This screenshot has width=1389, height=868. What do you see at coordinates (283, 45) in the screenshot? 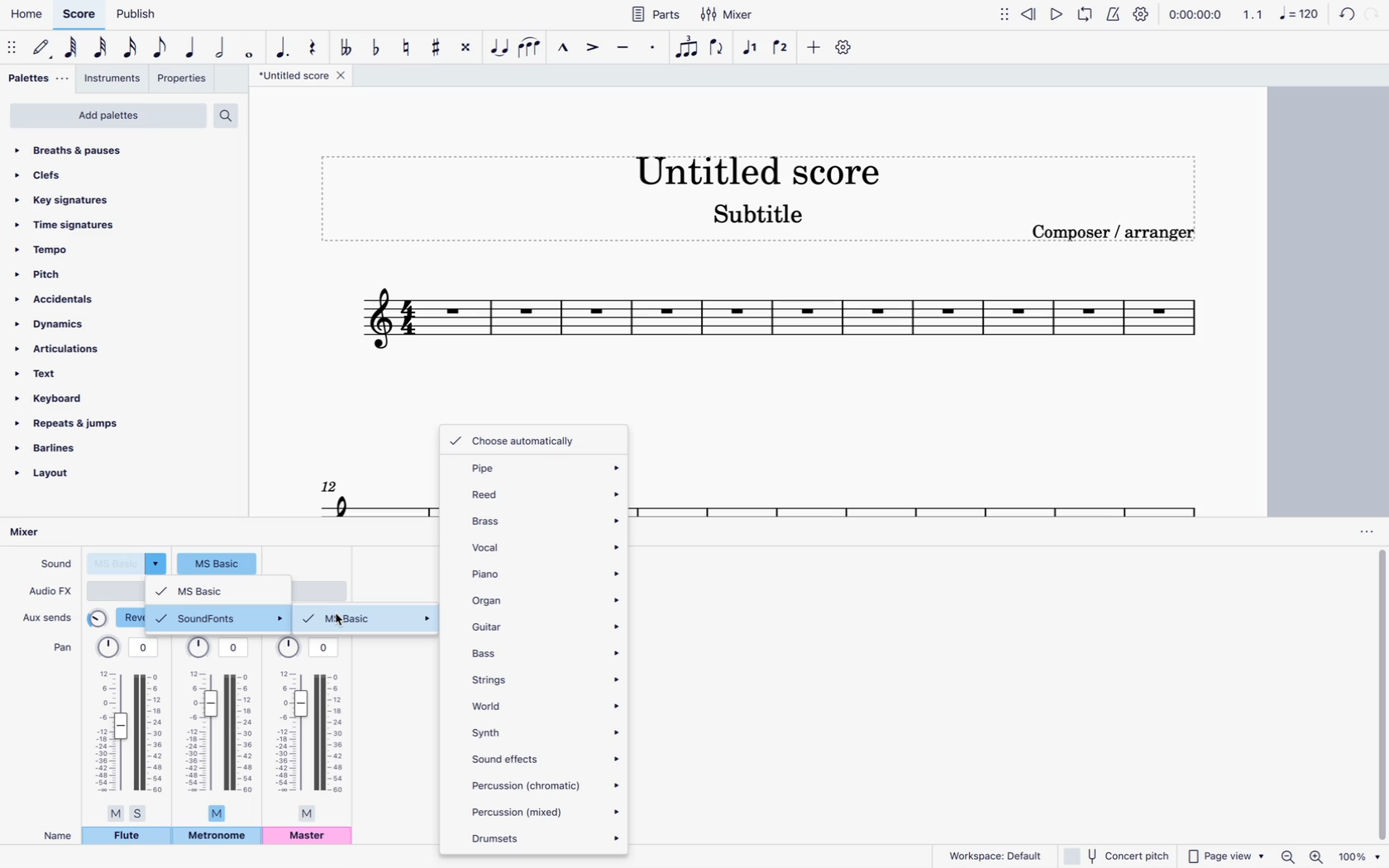
I see `augmentation dot` at bounding box center [283, 45].